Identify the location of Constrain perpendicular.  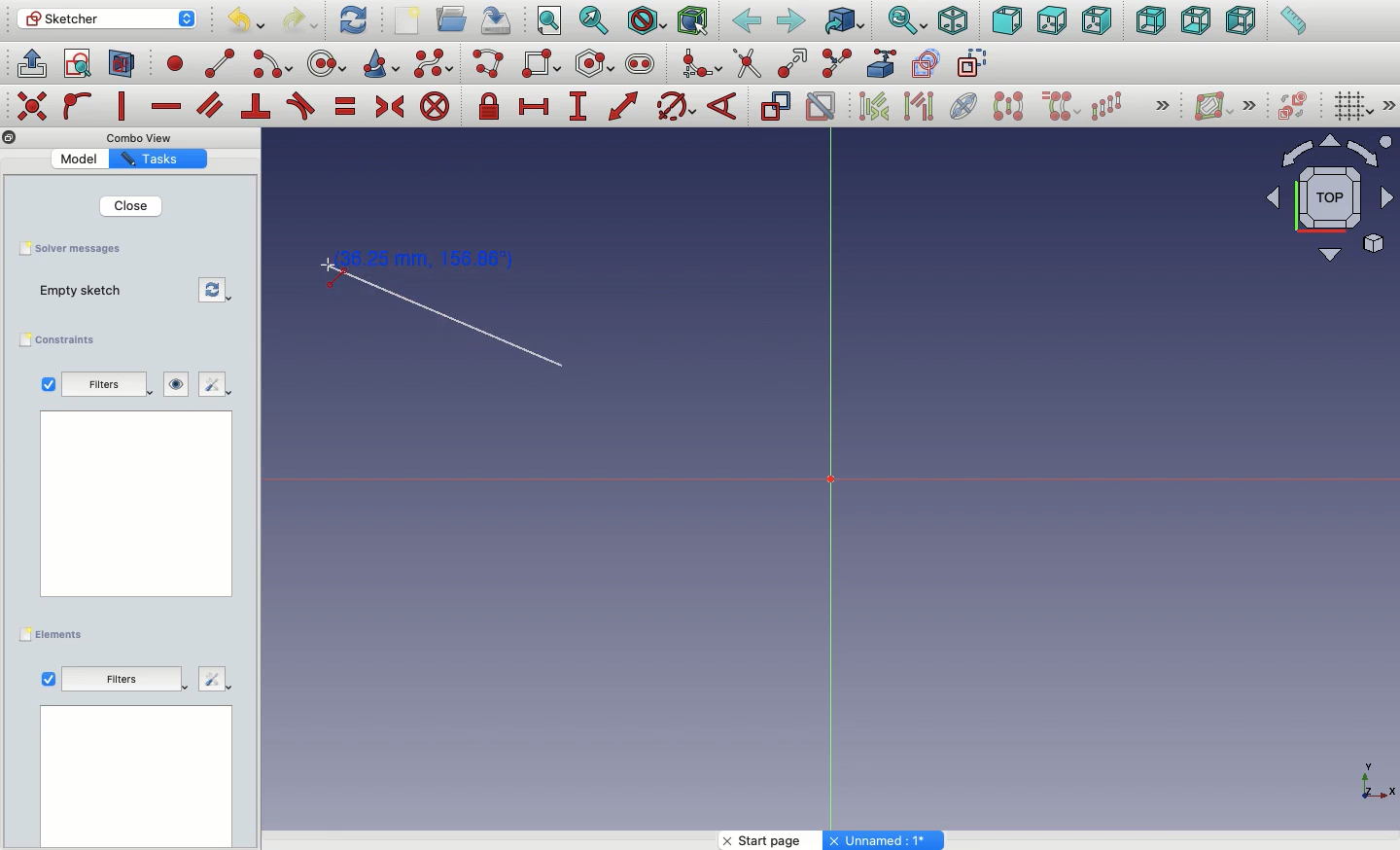
(257, 107).